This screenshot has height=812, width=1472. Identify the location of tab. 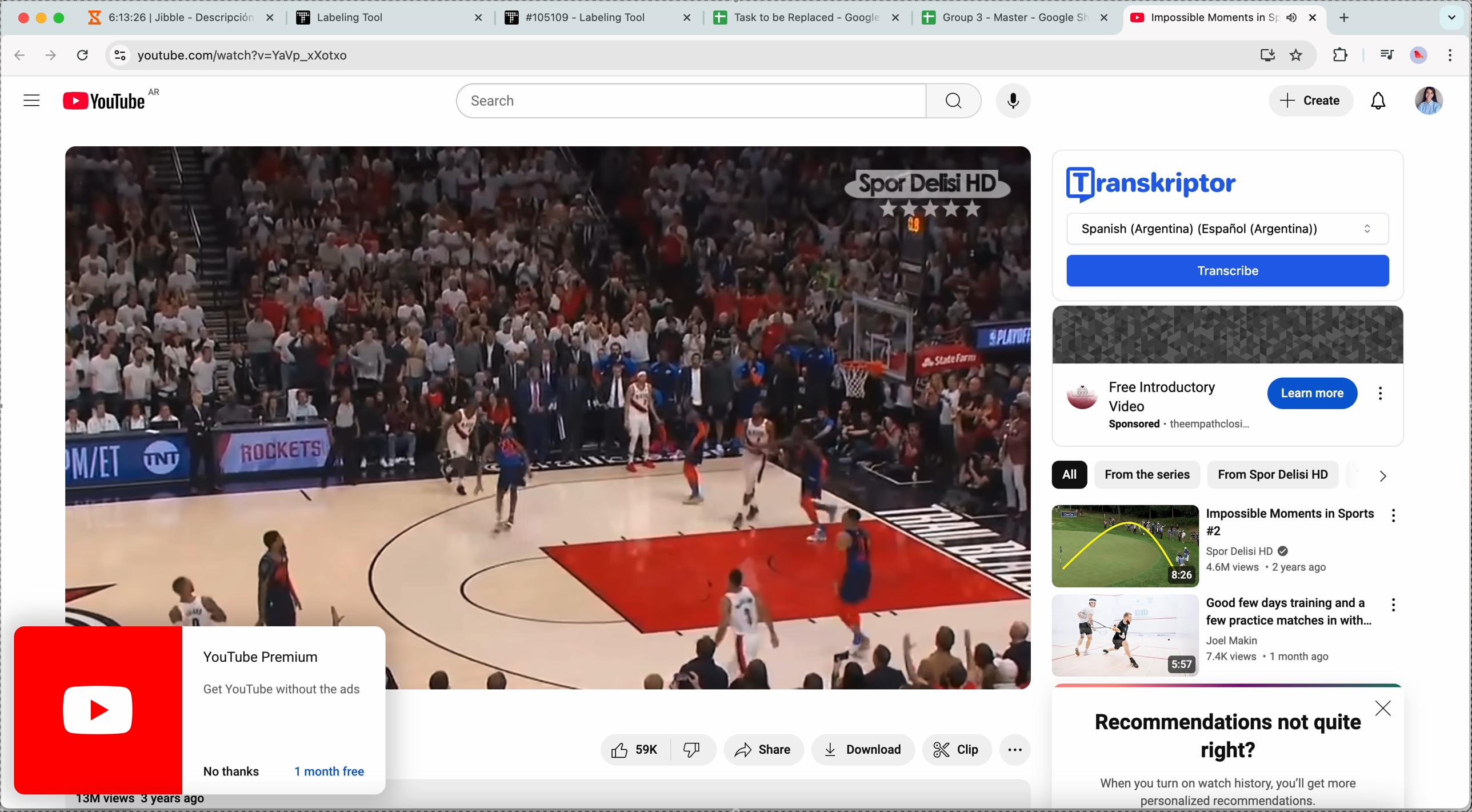
(1019, 20).